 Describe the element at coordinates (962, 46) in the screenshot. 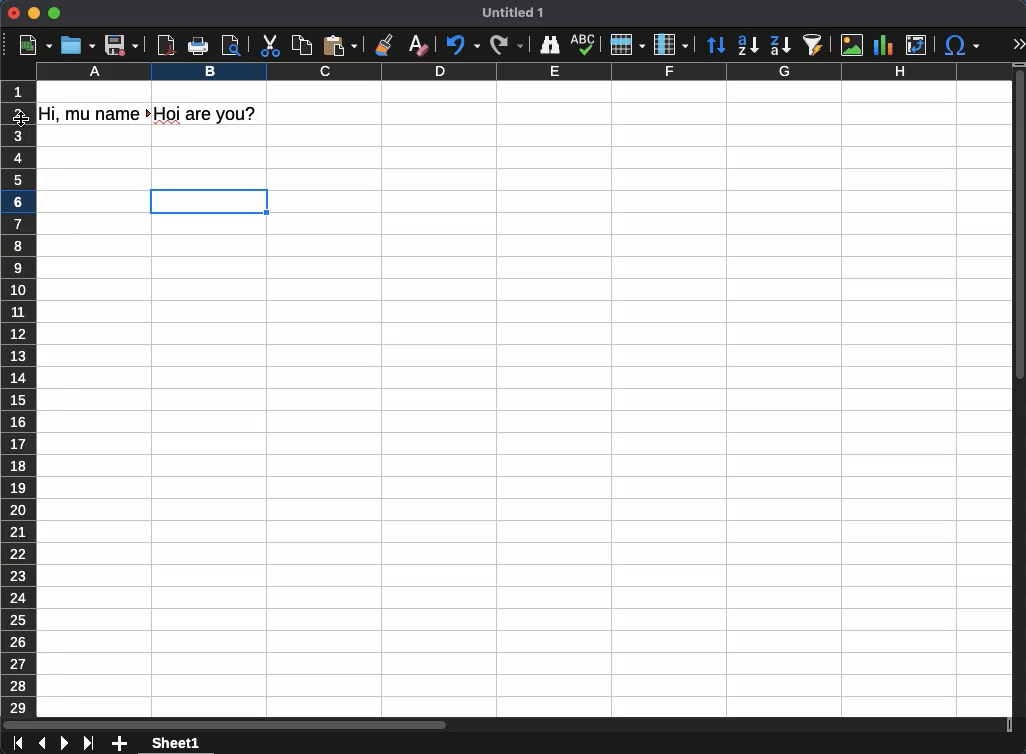

I see `special character` at that location.